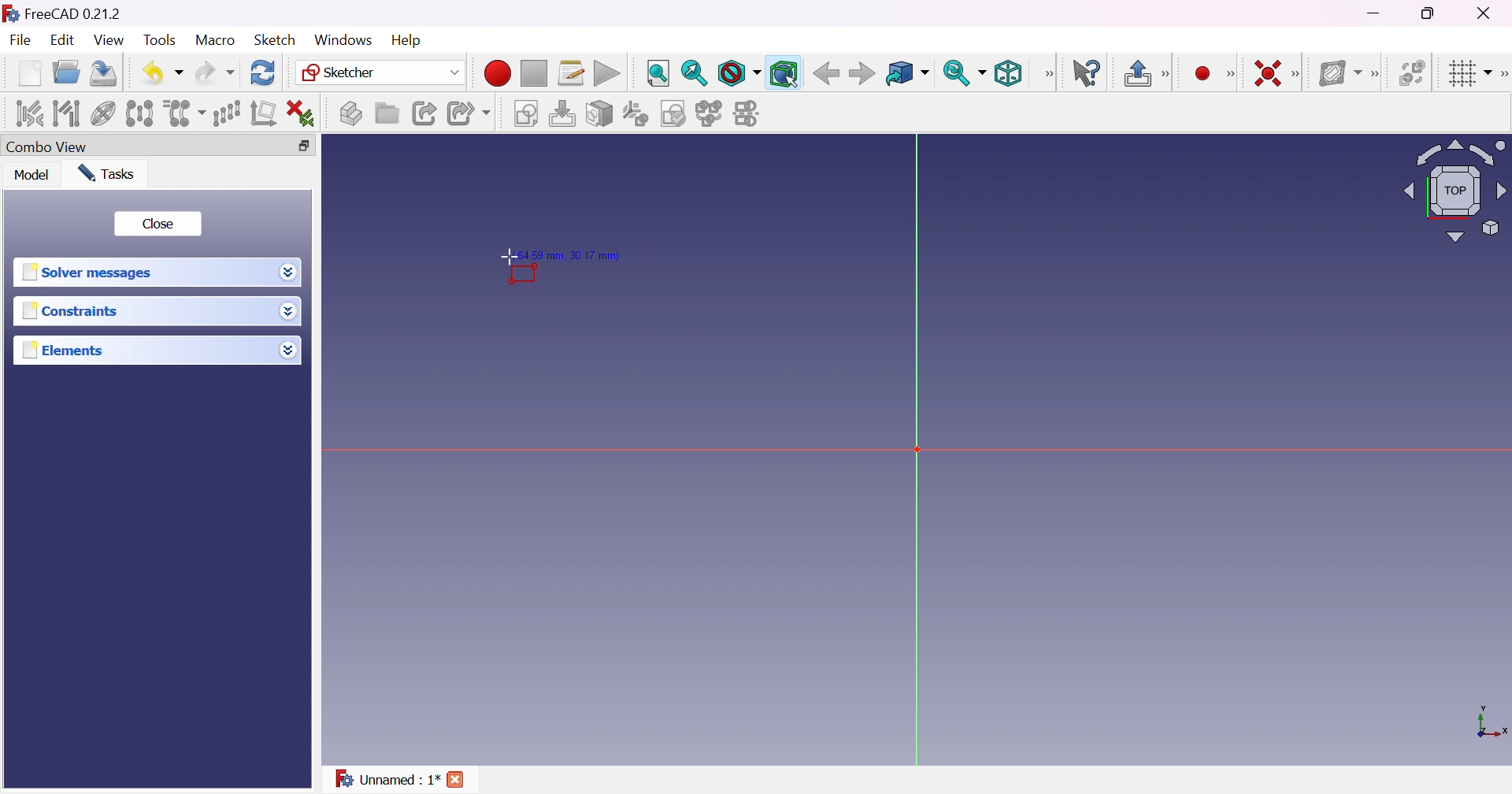  I want to click on Object, so click(524, 274).